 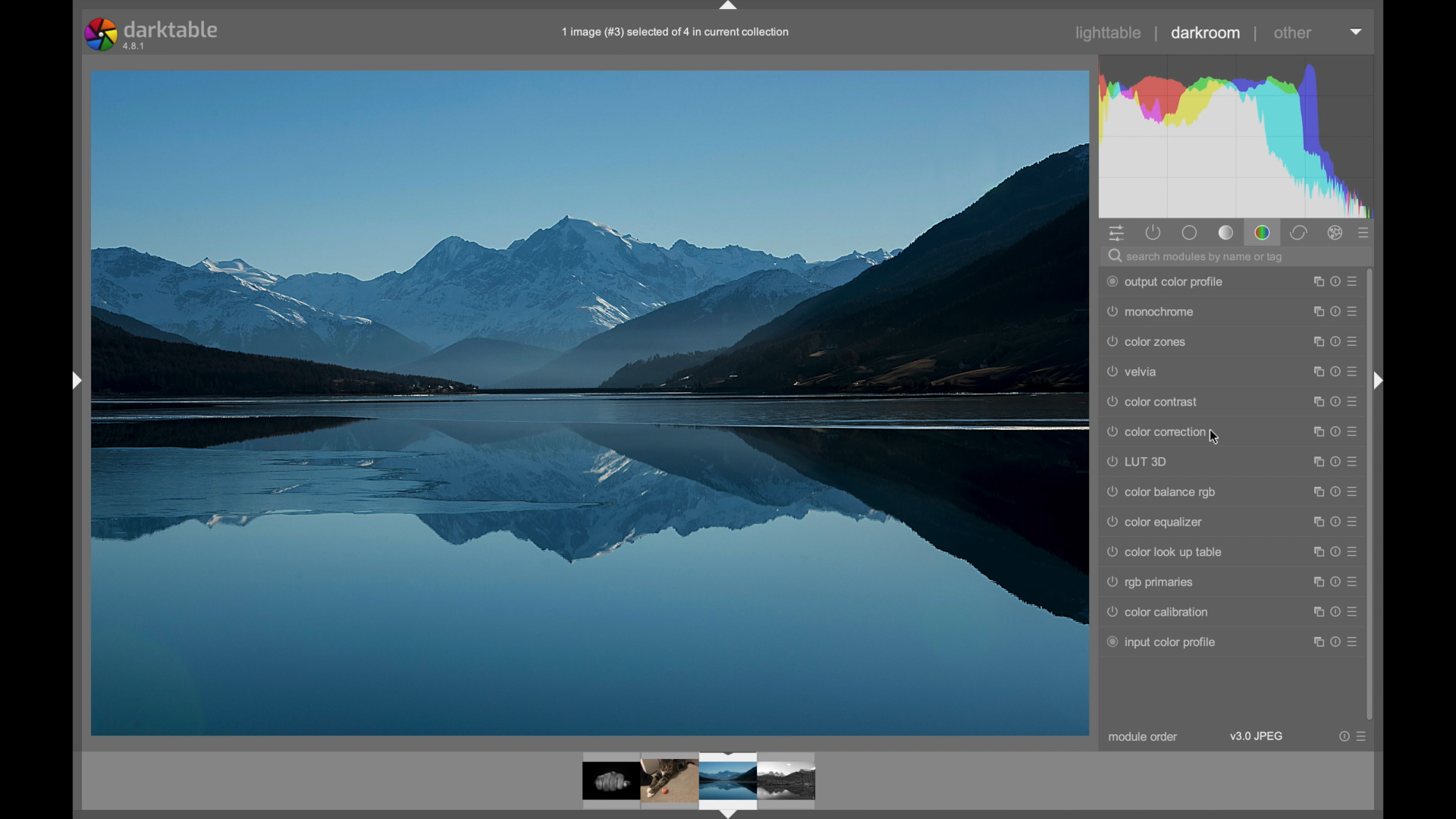 I want to click on module order, so click(x=1144, y=737).